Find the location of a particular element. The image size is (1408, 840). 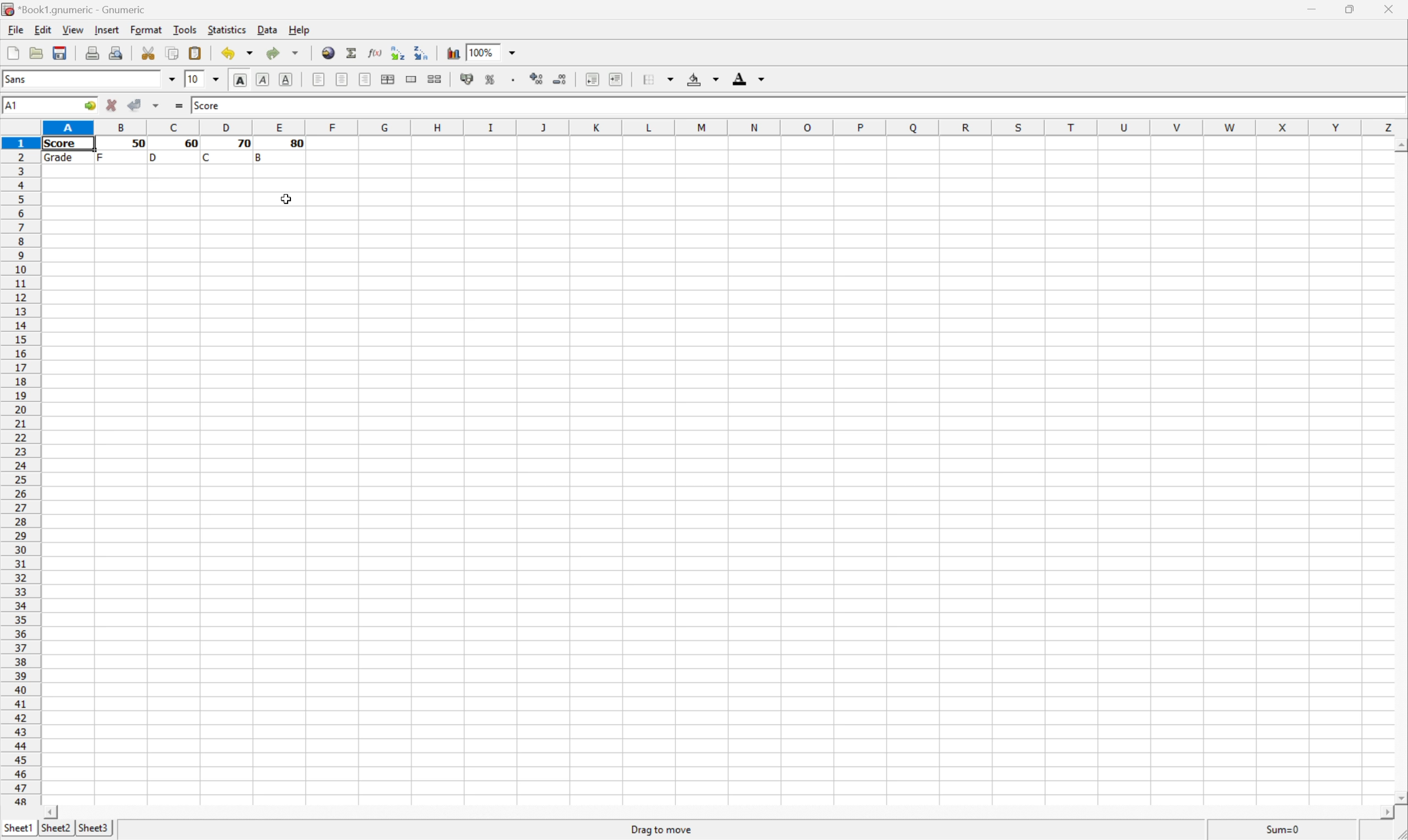

Merge a range of cells is located at coordinates (412, 78).